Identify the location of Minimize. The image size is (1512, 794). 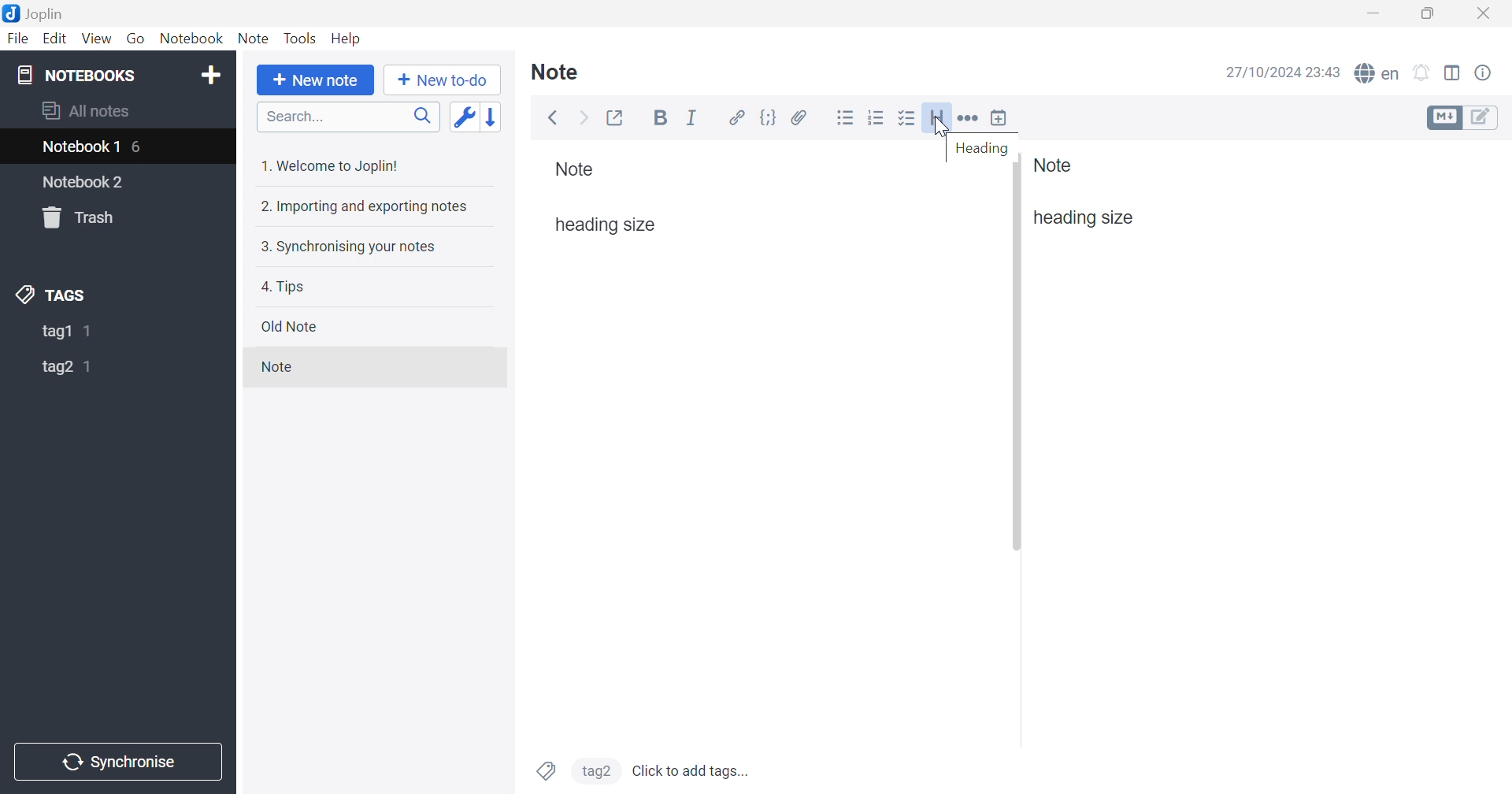
(1376, 15).